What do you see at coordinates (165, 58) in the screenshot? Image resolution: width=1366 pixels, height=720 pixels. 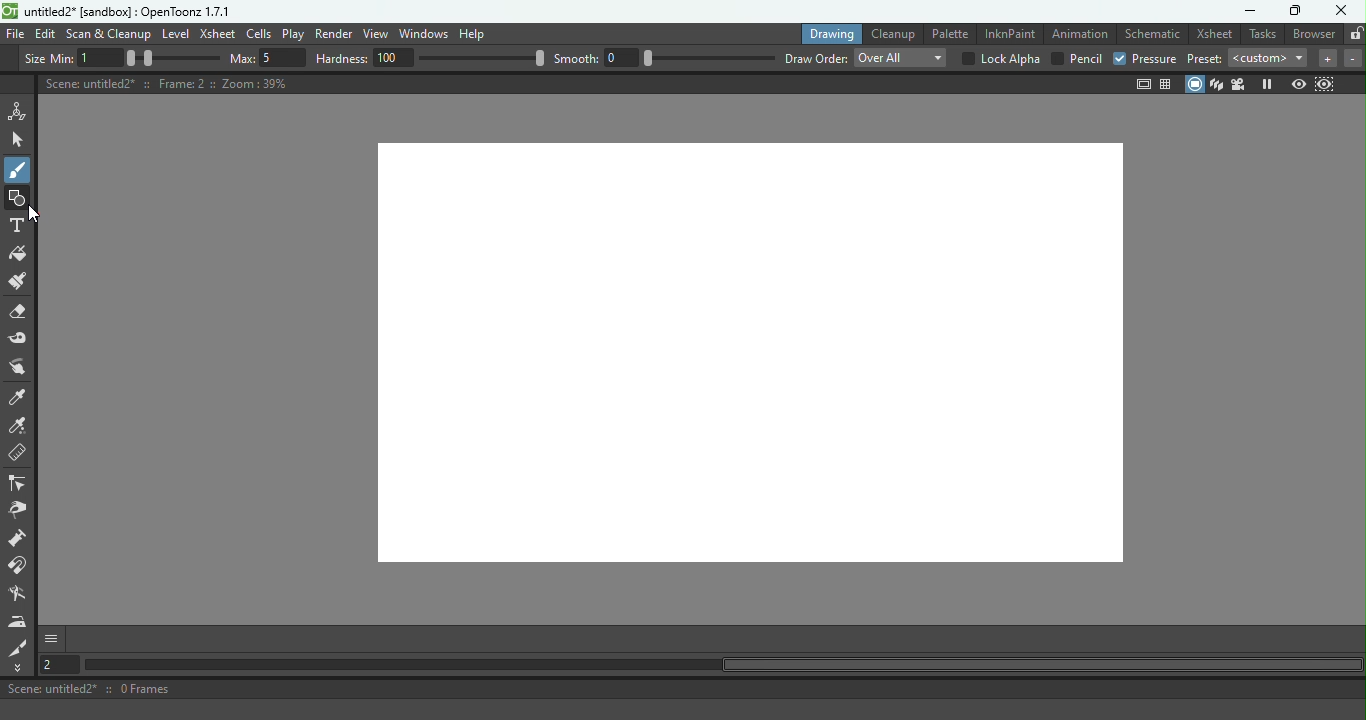 I see `Thickness` at bounding box center [165, 58].